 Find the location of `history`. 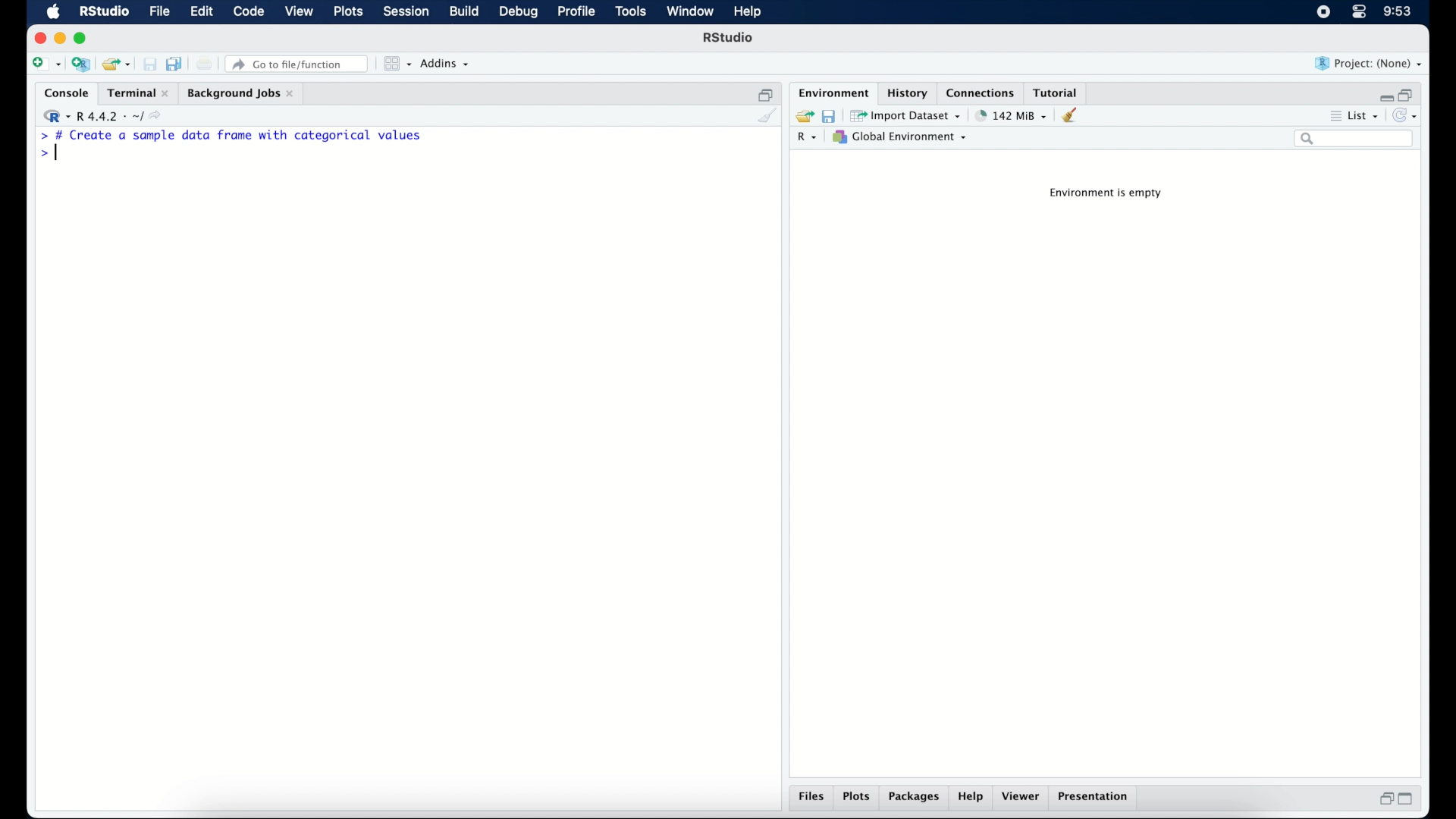

history is located at coordinates (909, 93).